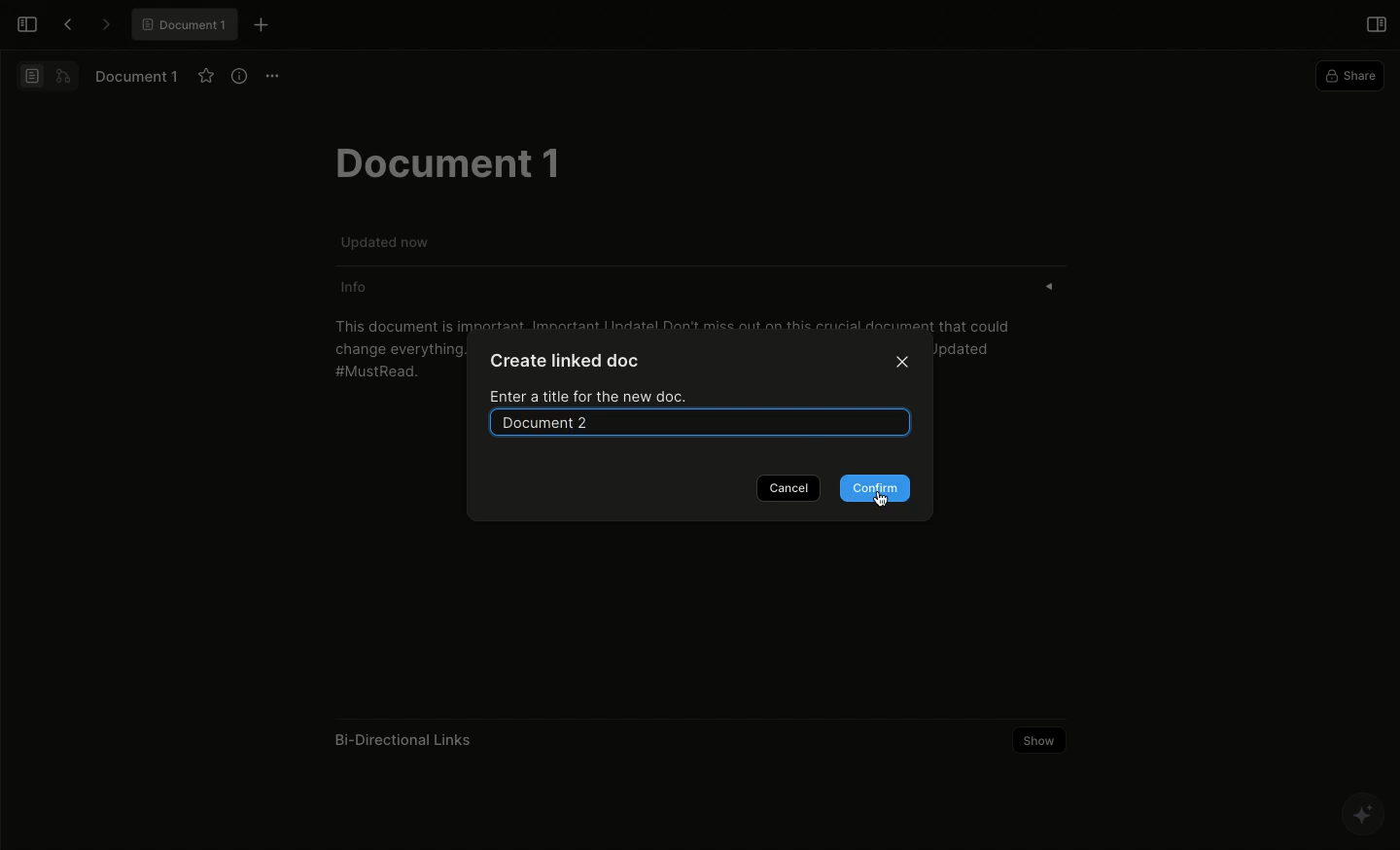 This screenshot has height=850, width=1400. What do you see at coordinates (1041, 740) in the screenshot?
I see `Show` at bounding box center [1041, 740].